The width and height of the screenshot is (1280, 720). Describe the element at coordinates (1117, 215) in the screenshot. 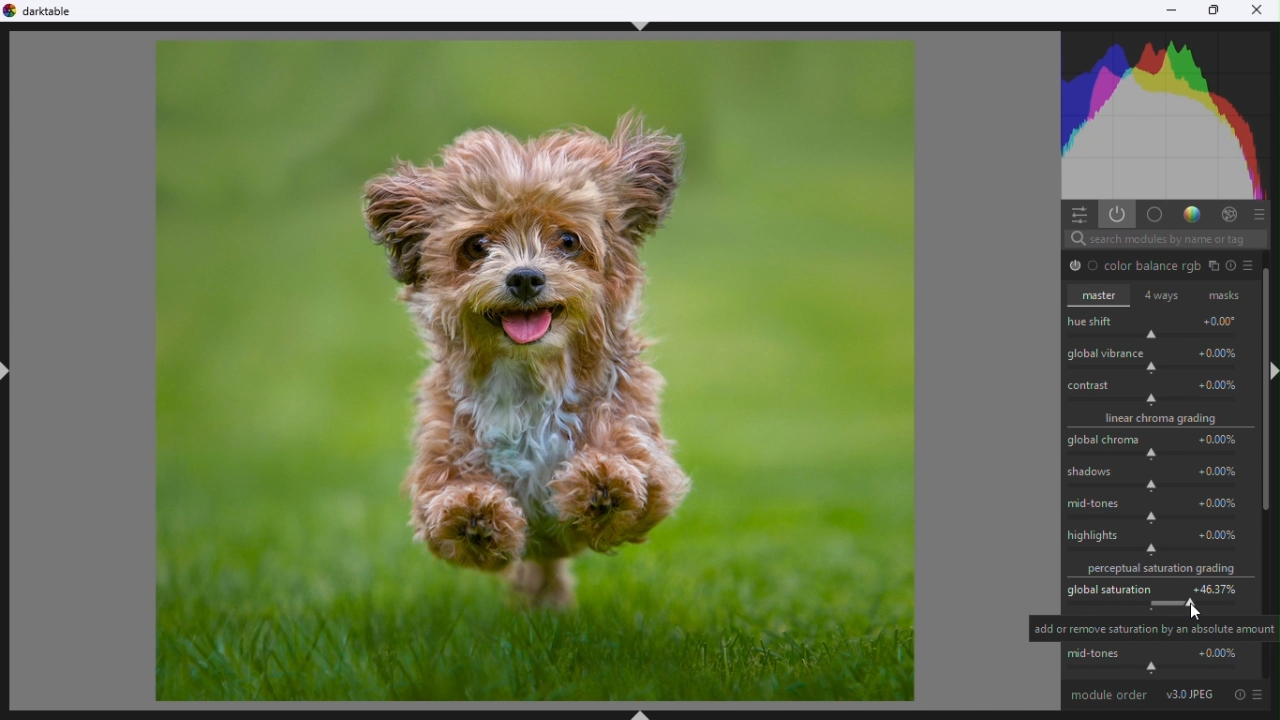

I see `Show active models only` at that location.